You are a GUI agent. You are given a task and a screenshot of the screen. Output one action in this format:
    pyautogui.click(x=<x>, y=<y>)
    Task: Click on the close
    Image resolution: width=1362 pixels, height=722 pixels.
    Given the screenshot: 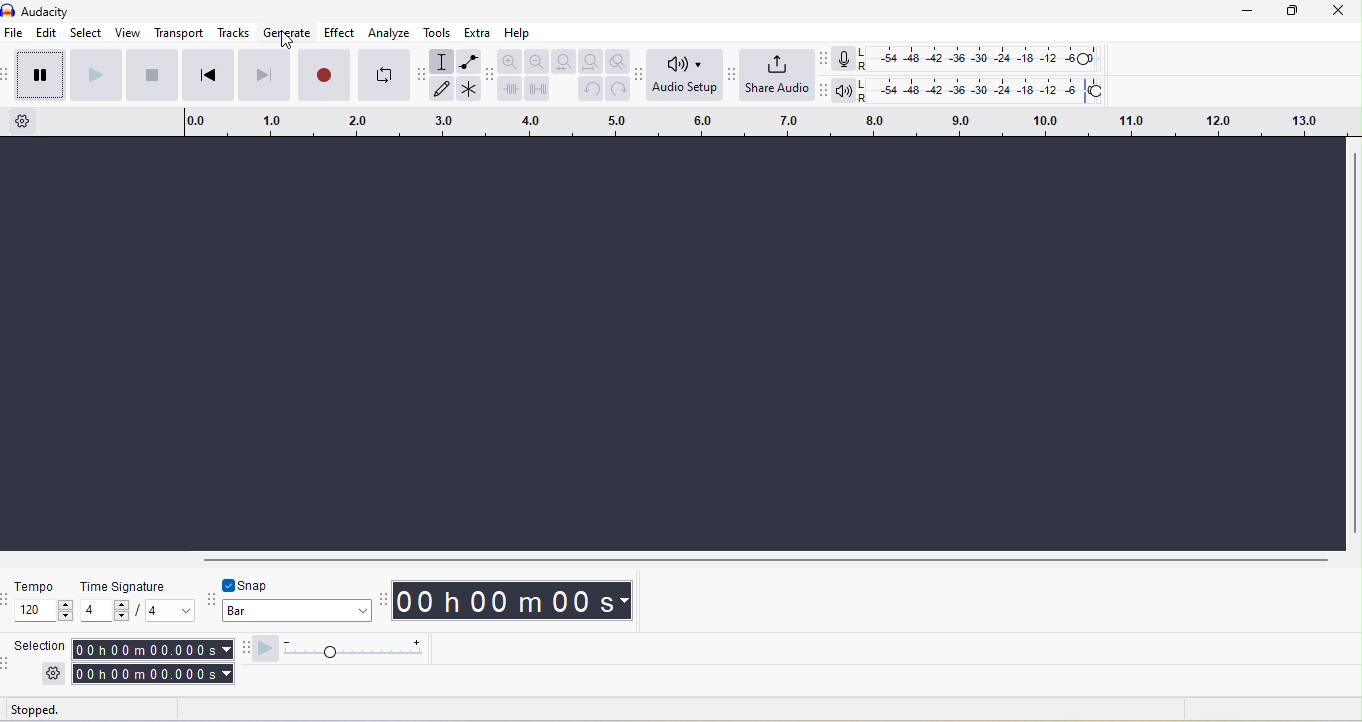 What is the action you would take?
    pyautogui.click(x=1340, y=12)
    